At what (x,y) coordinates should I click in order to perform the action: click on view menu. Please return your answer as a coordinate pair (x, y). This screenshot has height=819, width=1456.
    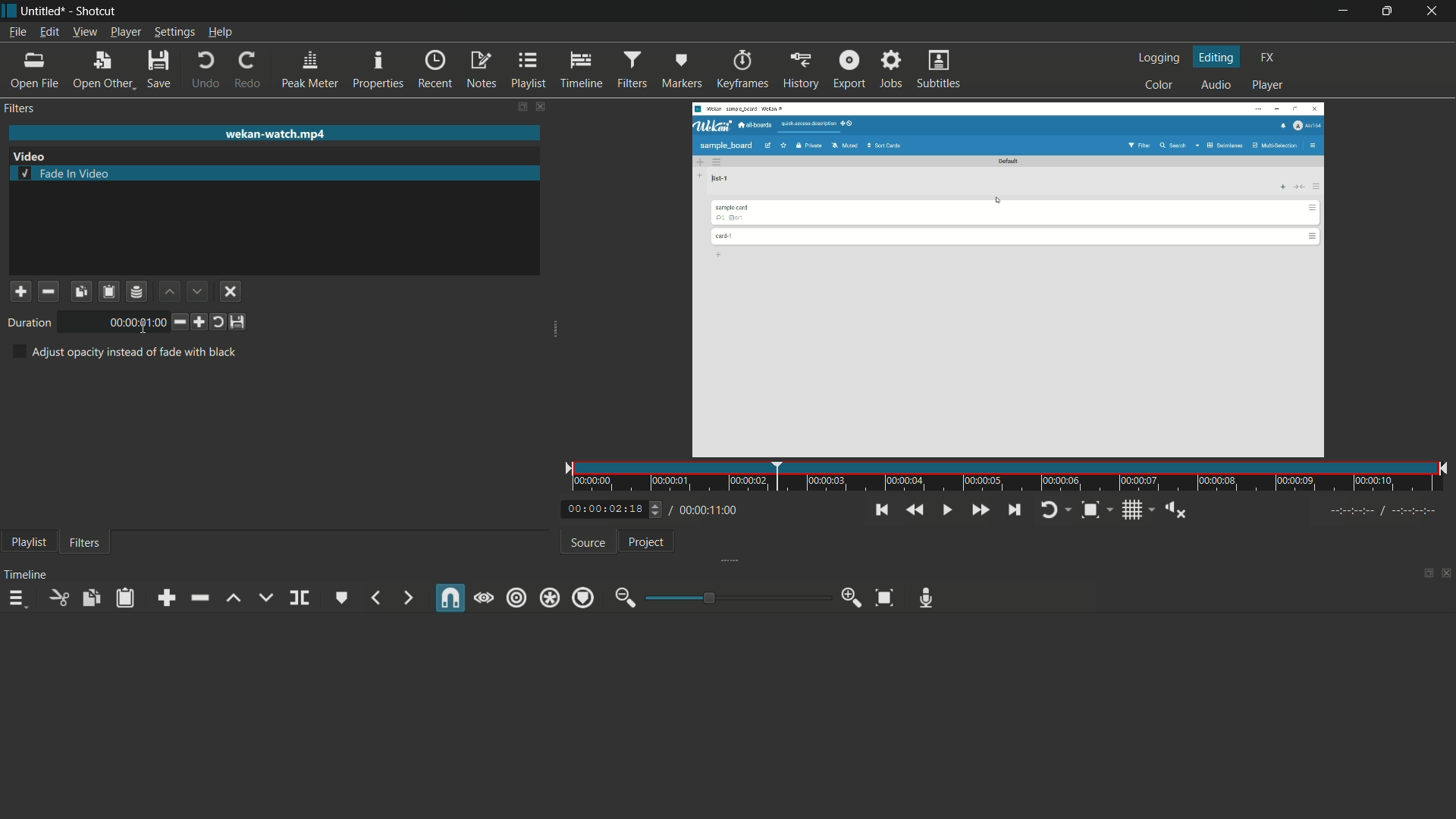
    Looking at the image, I should click on (85, 32).